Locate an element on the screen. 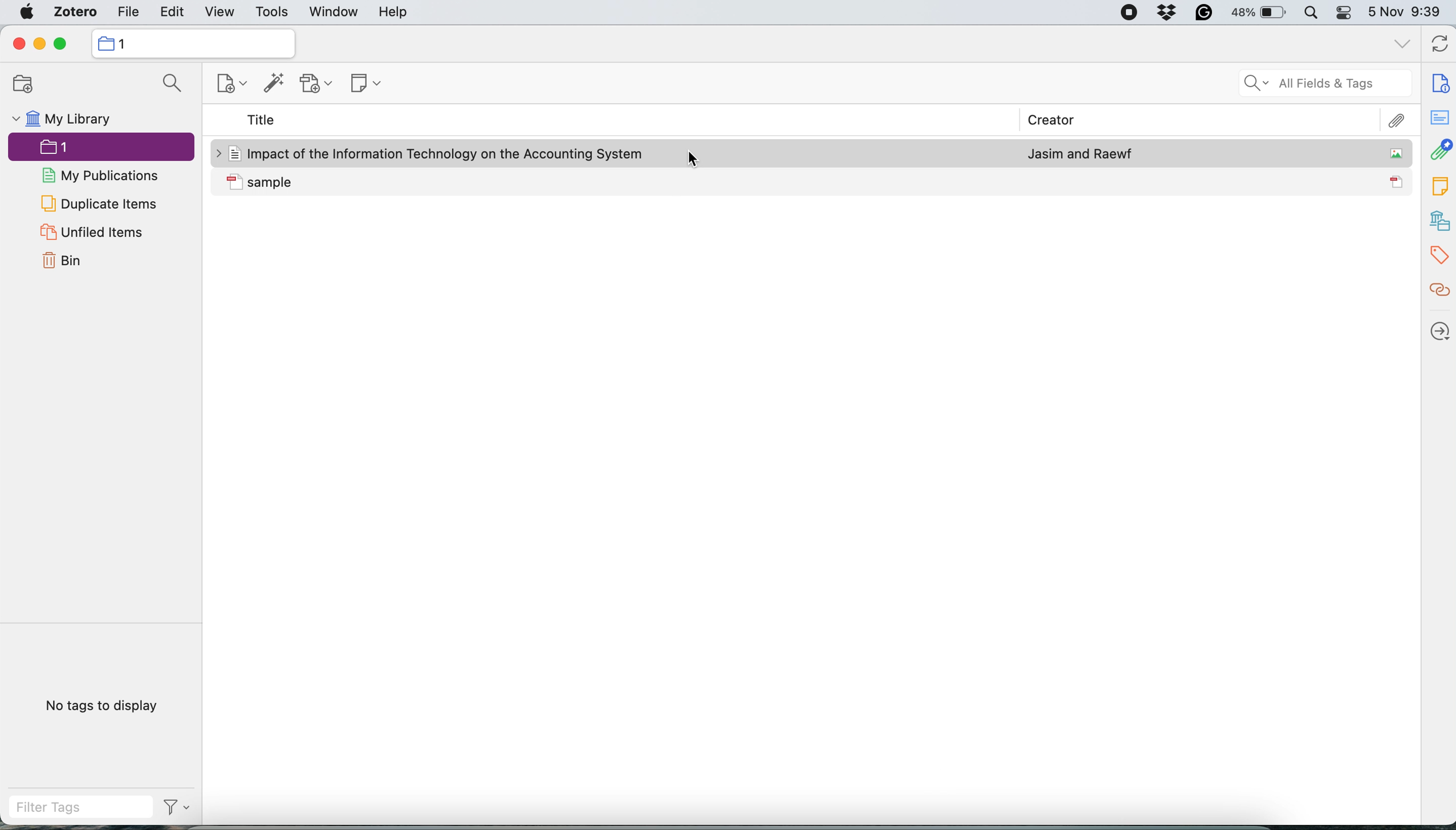 The image size is (1456, 830). note info is located at coordinates (1441, 82).